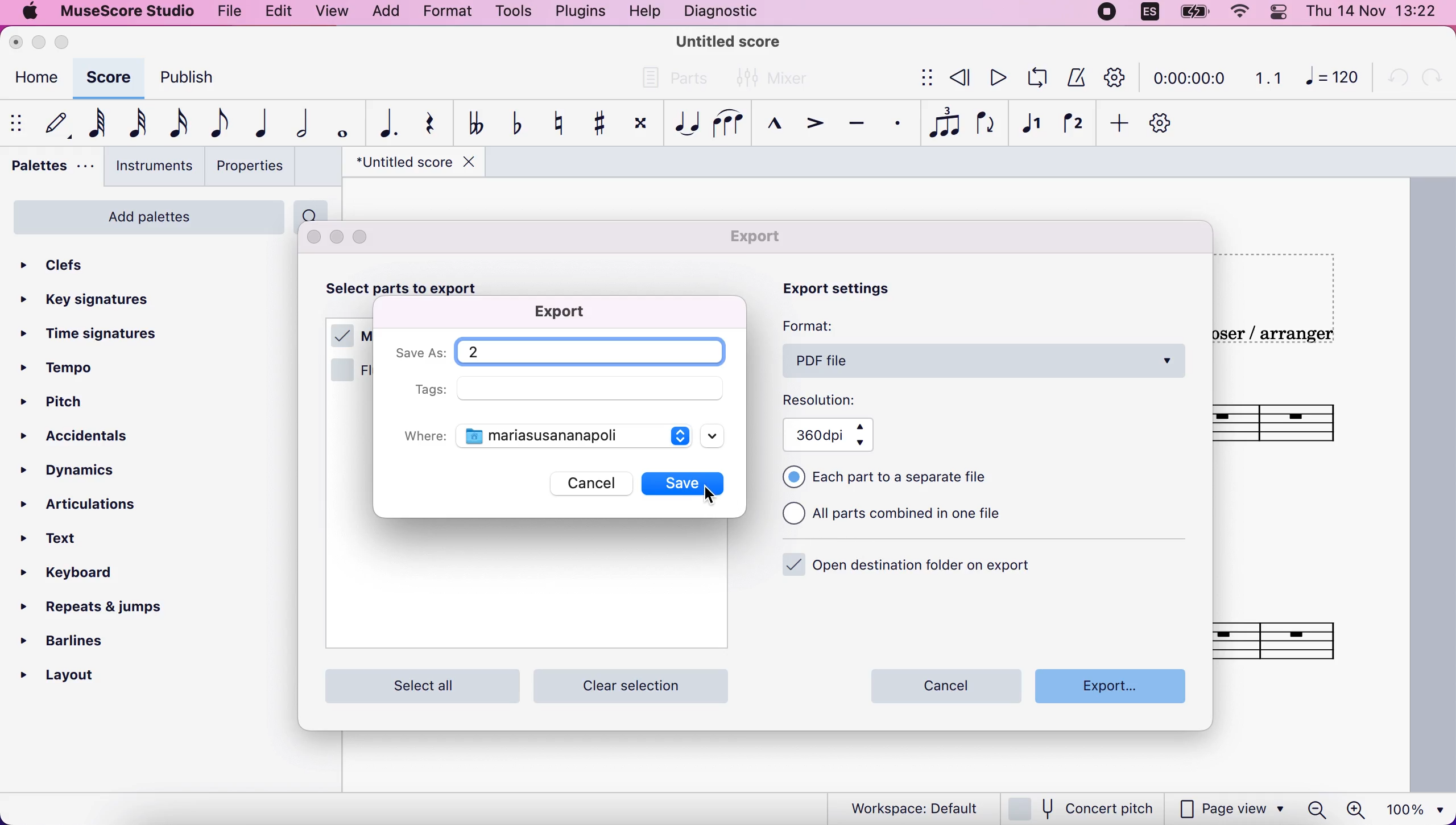 The width and height of the screenshot is (1456, 825). Describe the element at coordinates (337, 236) in the screenshot. I see `minimize` at that location.